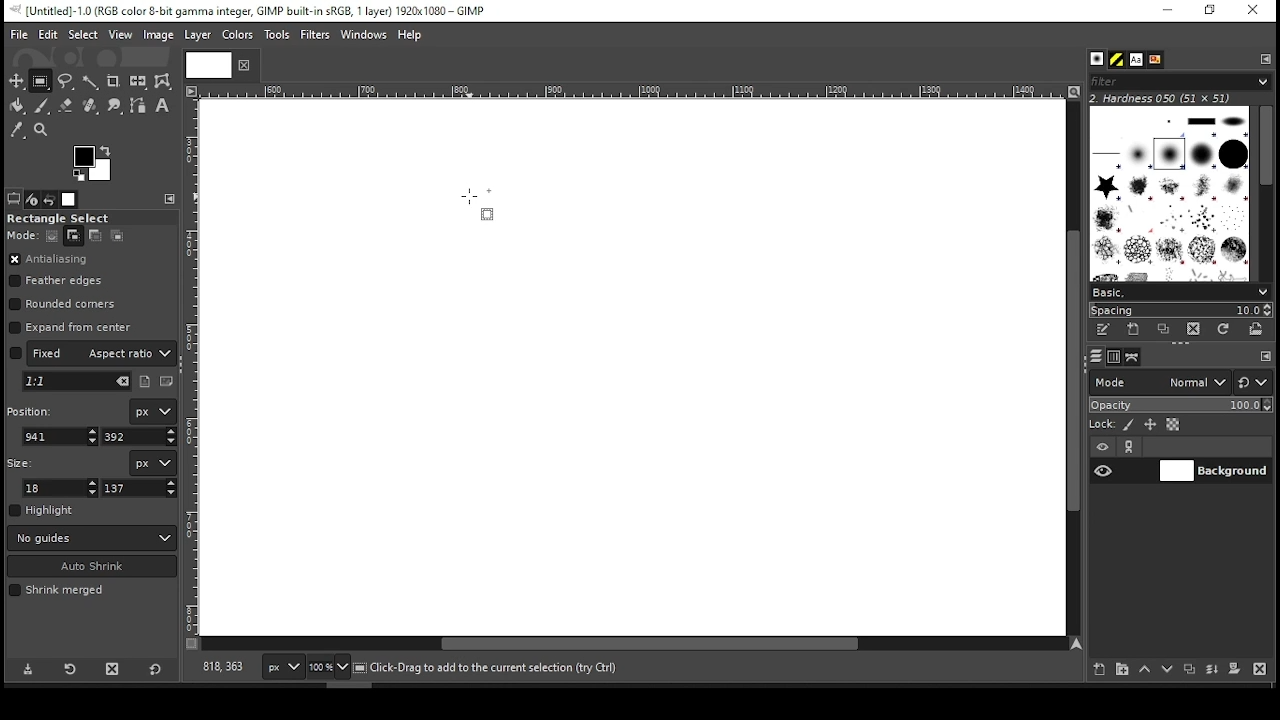 The width and height of the screenshot is (1280, 720). I want to click on select brush preset, so click(1182, 291).